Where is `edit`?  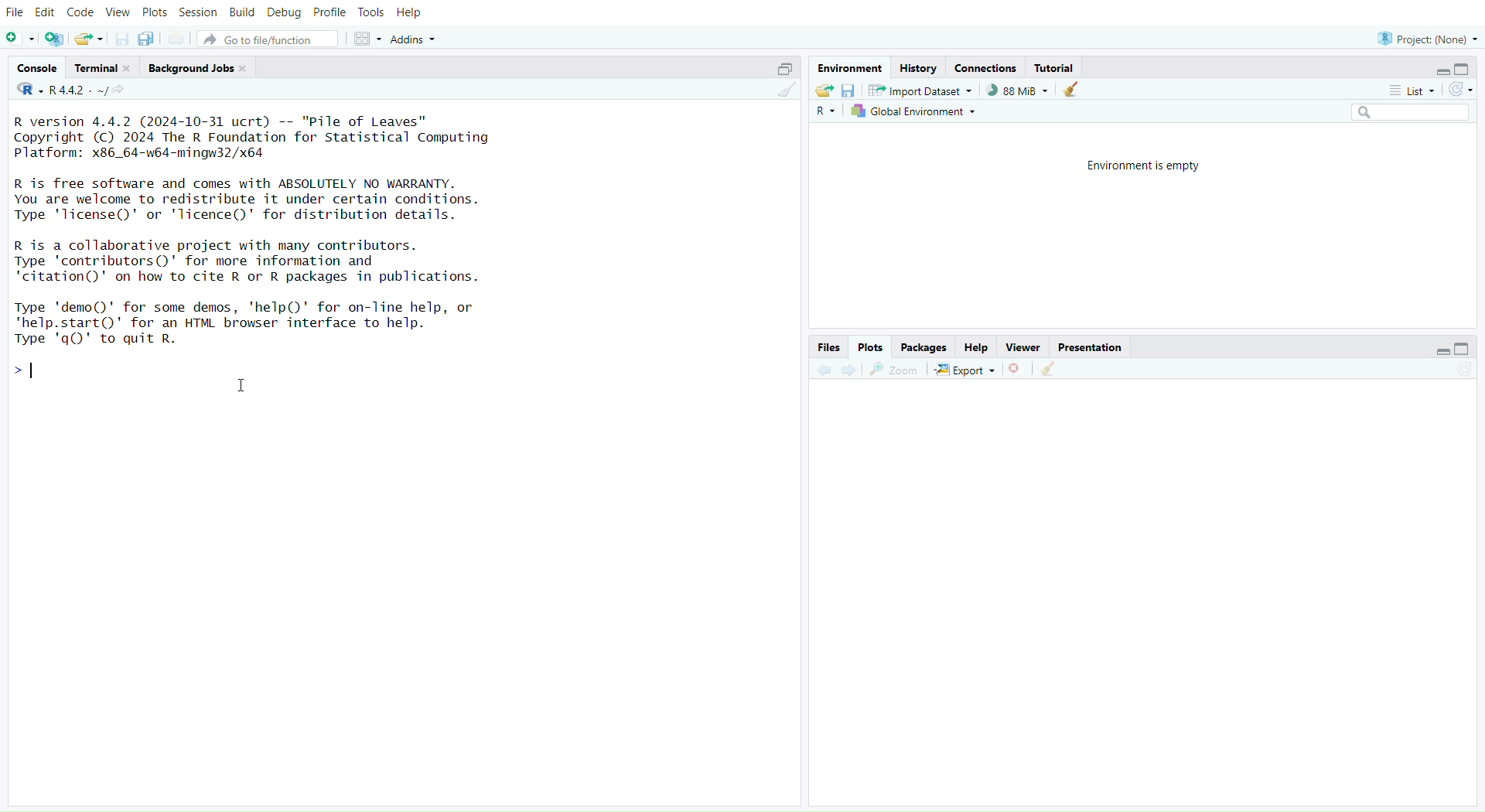
edit is located at coordinates (45, 13).